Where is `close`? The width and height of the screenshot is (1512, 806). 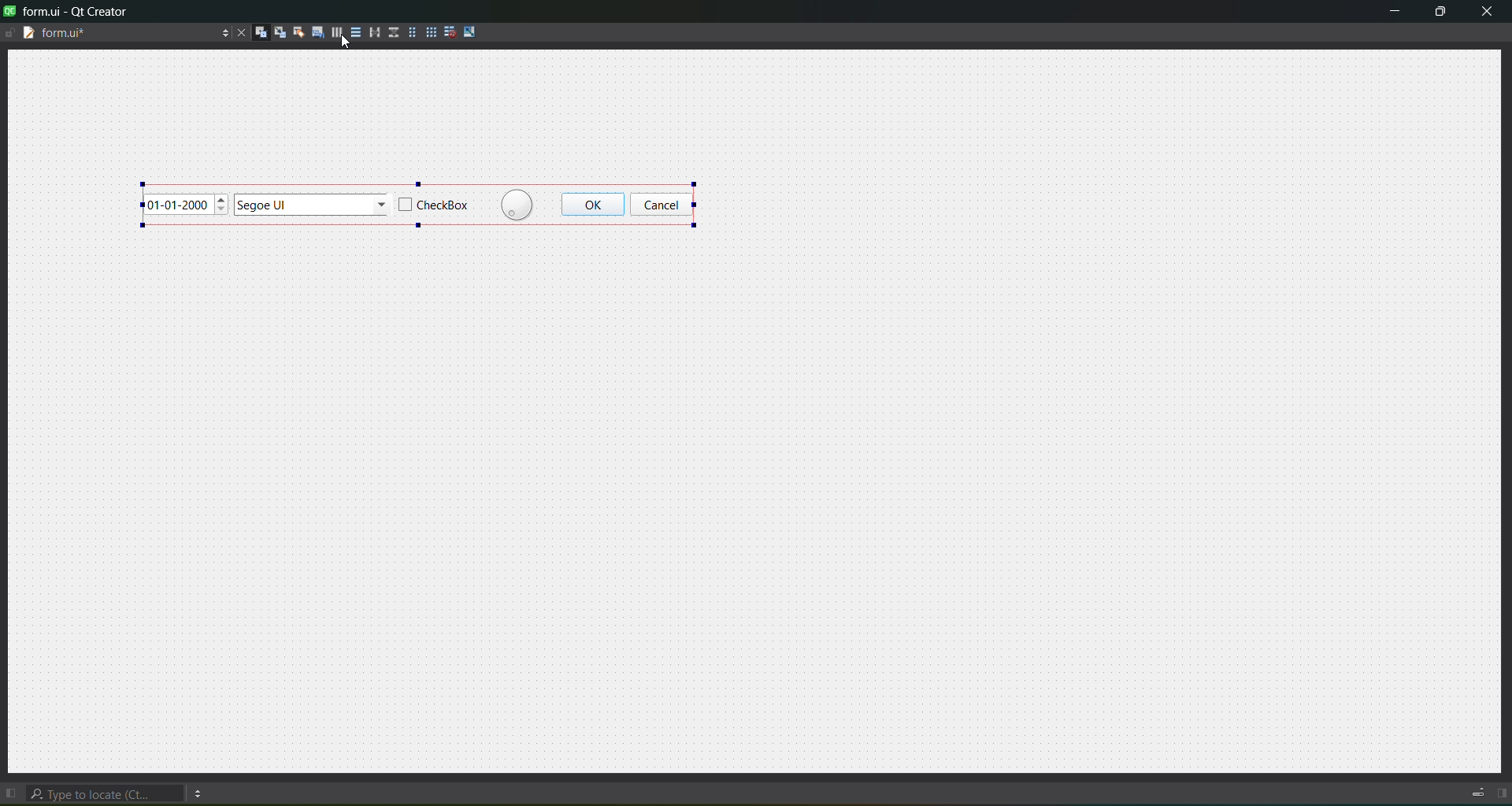
close is located at coordinates (1492, 13).